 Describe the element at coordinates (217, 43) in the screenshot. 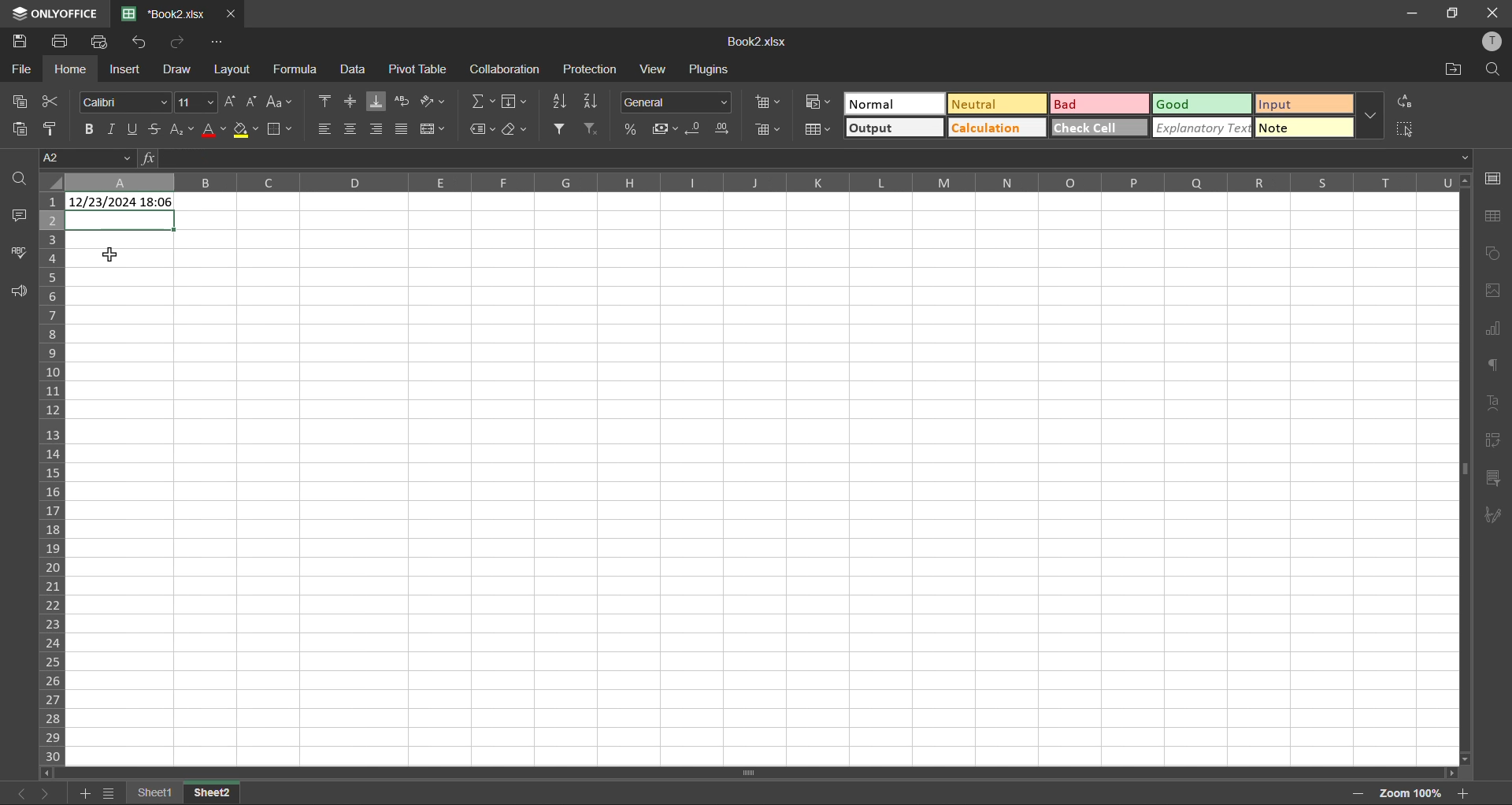

I see `customize quick access toolbar` at that location.